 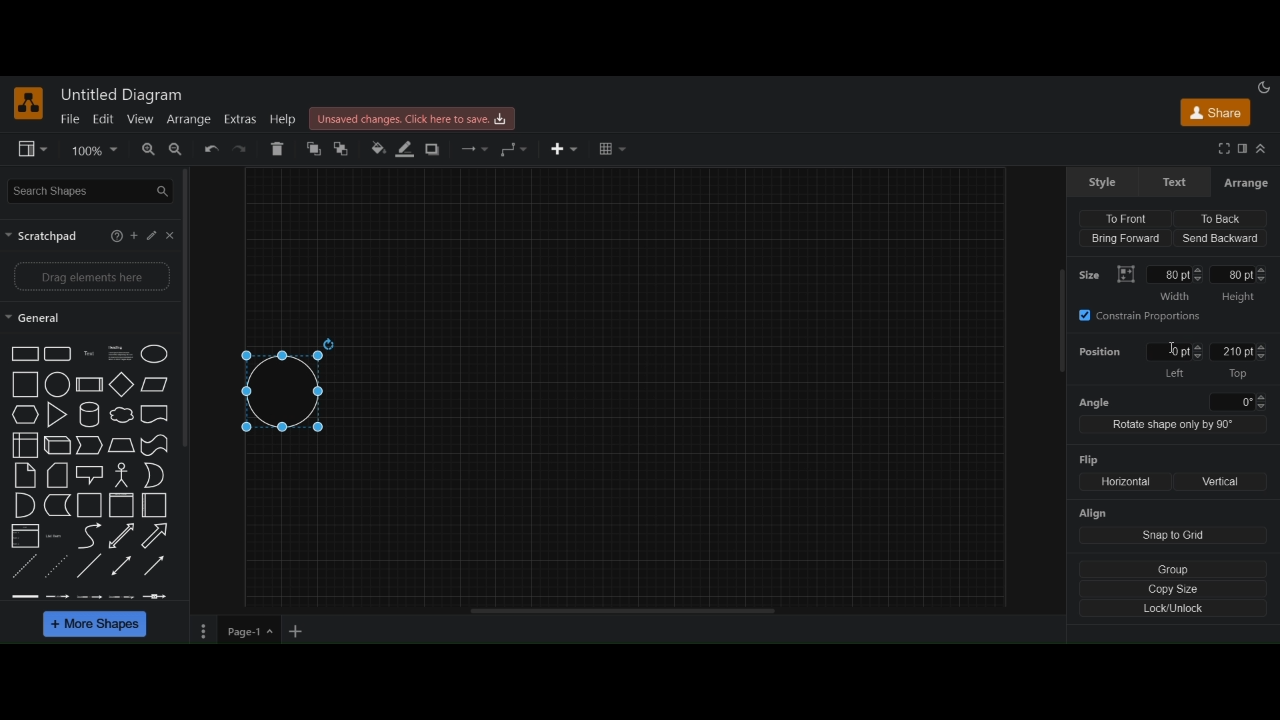 I want to click on search shapes, so click(x=92, y=190).